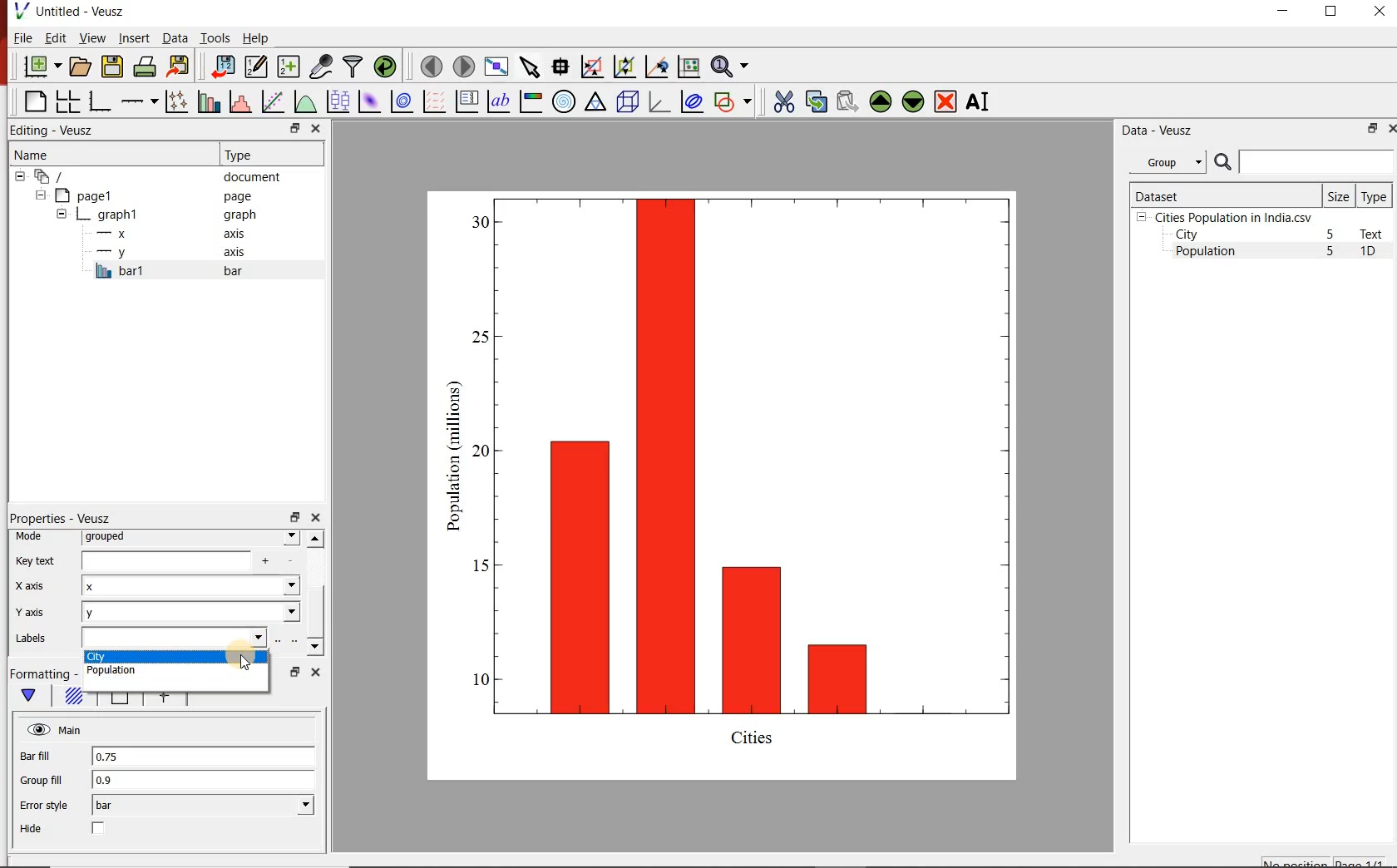  Describe the element at coordinates (73, 698) in the screenshot. I see `Fill` at that location.